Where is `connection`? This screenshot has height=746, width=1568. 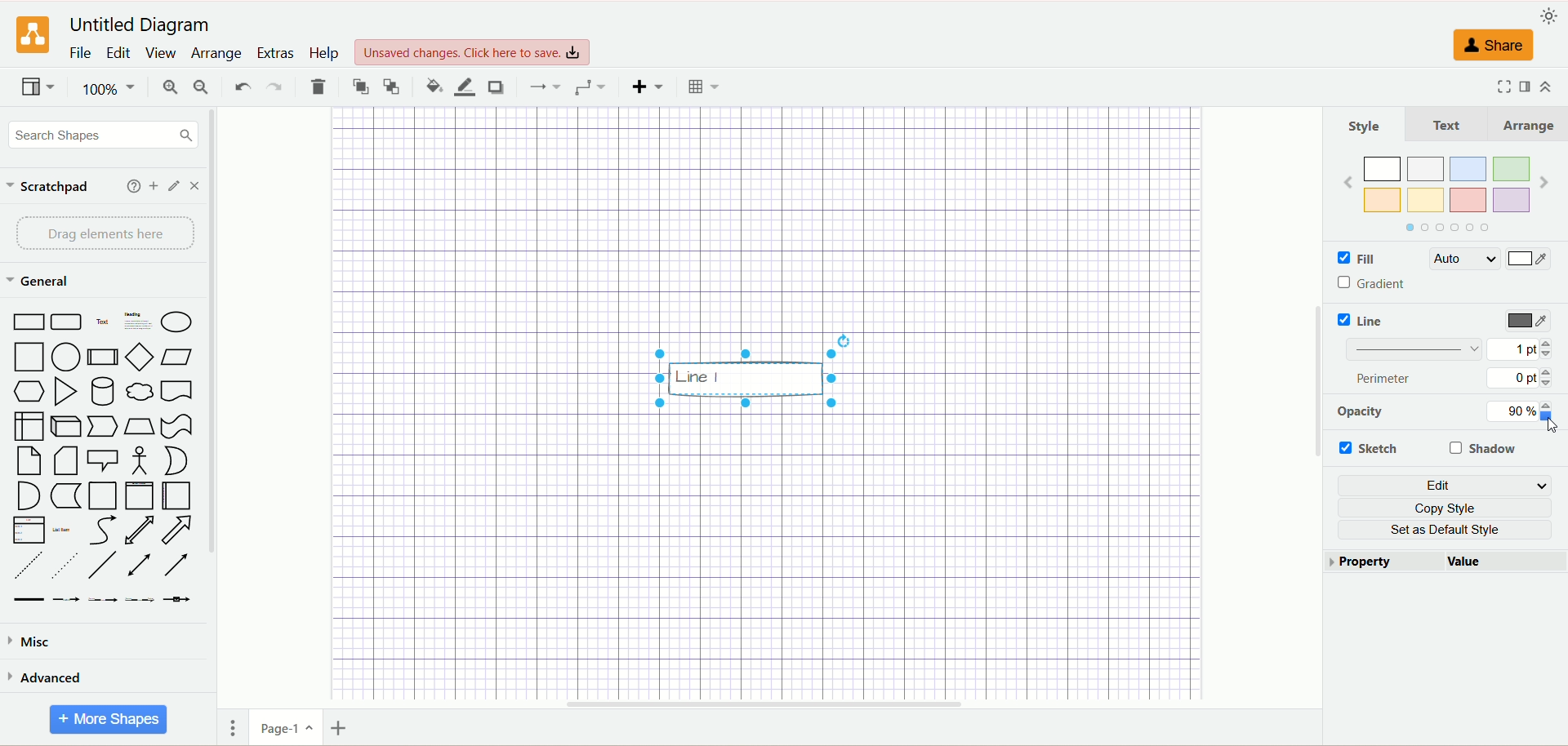
connection is located at coordinates (542, 85).